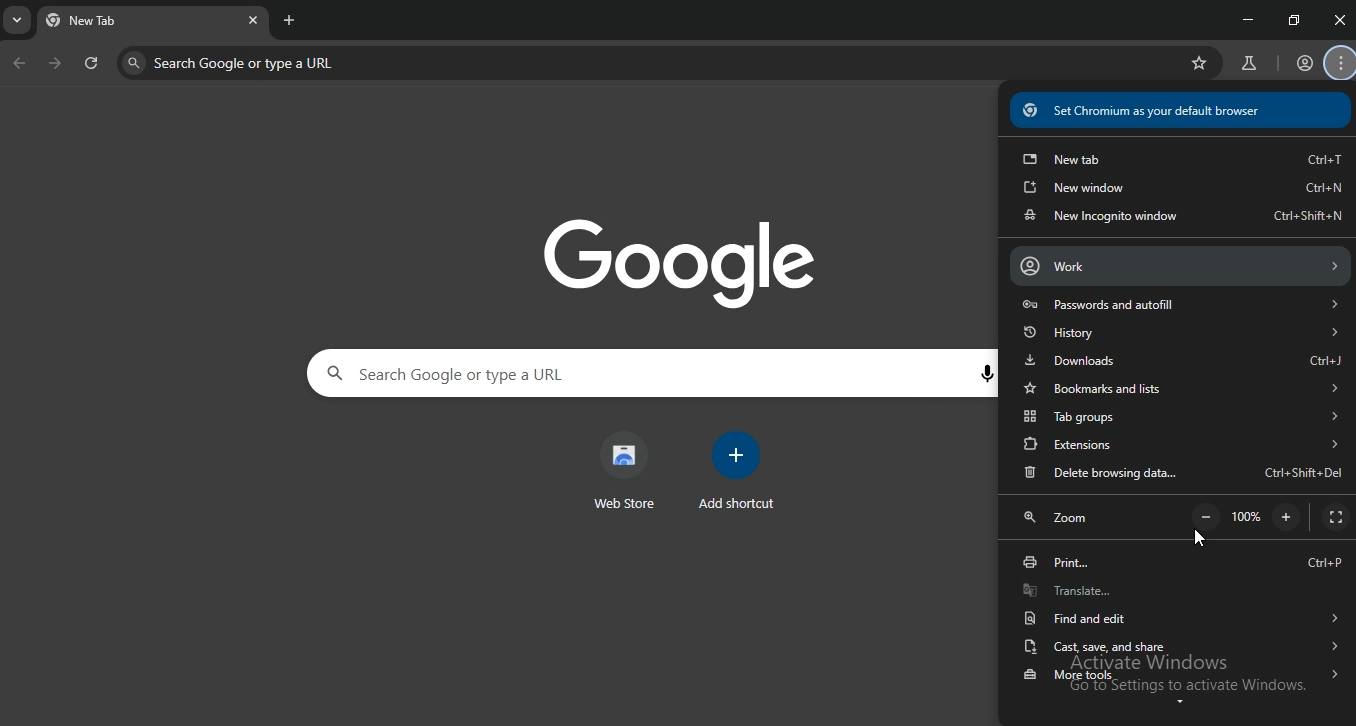  Describe the element at coordinates (352, 62) in the screenshot. I see `search google or type a url` at that location.